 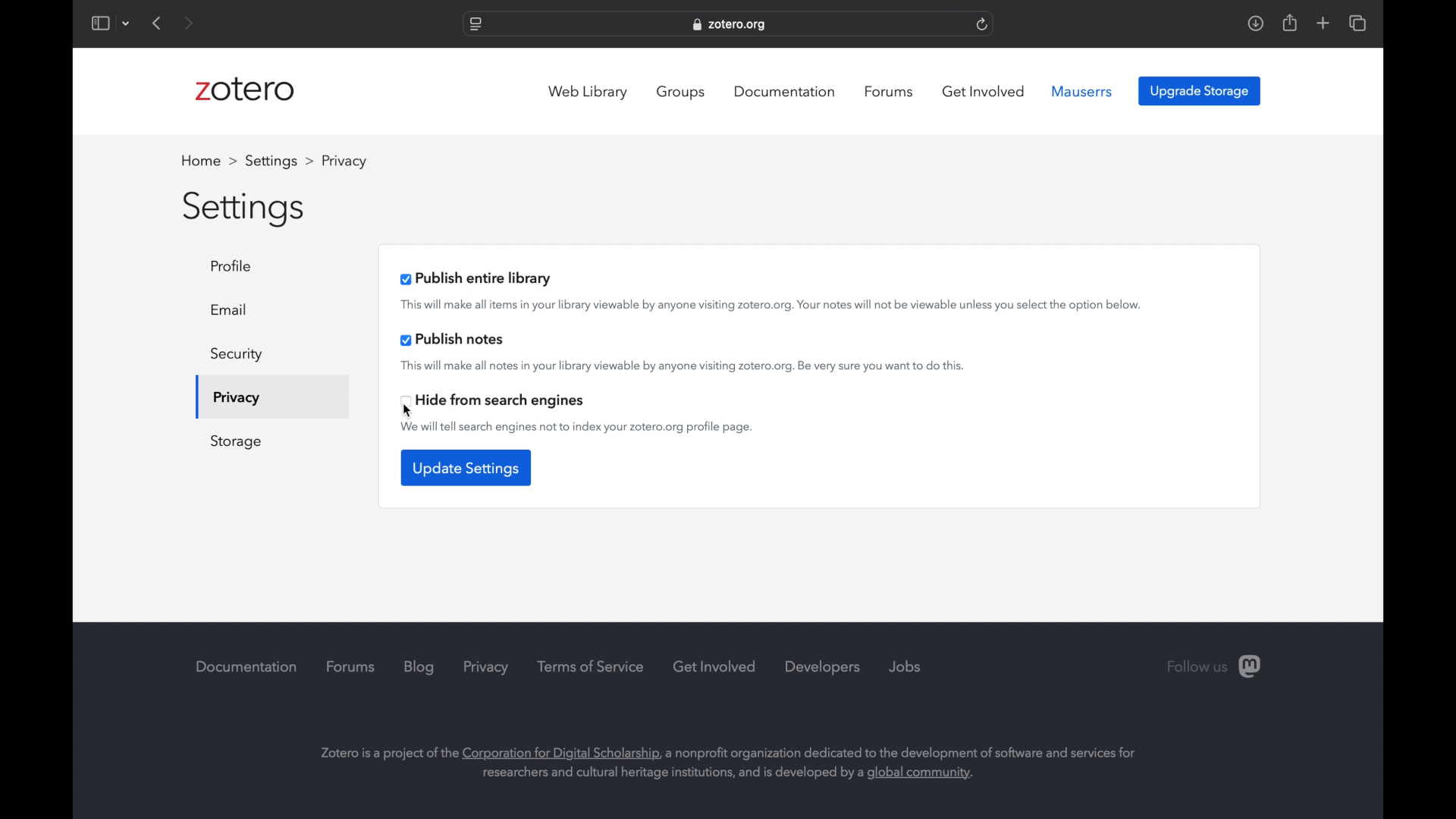 I want to click on settings, so click(x=245, y=209).